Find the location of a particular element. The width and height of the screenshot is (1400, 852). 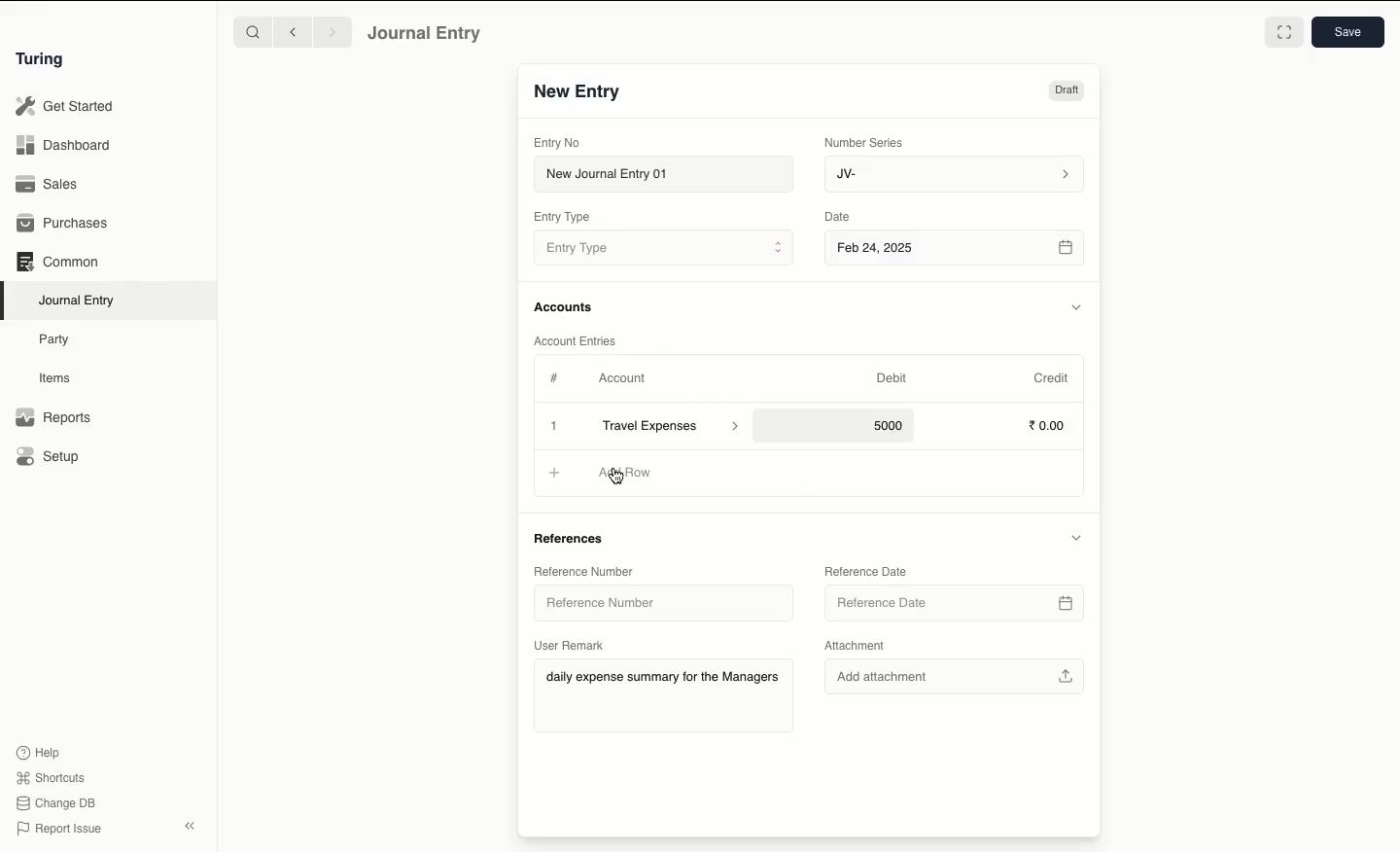

Reference Number is located at coordinates (589, 571).